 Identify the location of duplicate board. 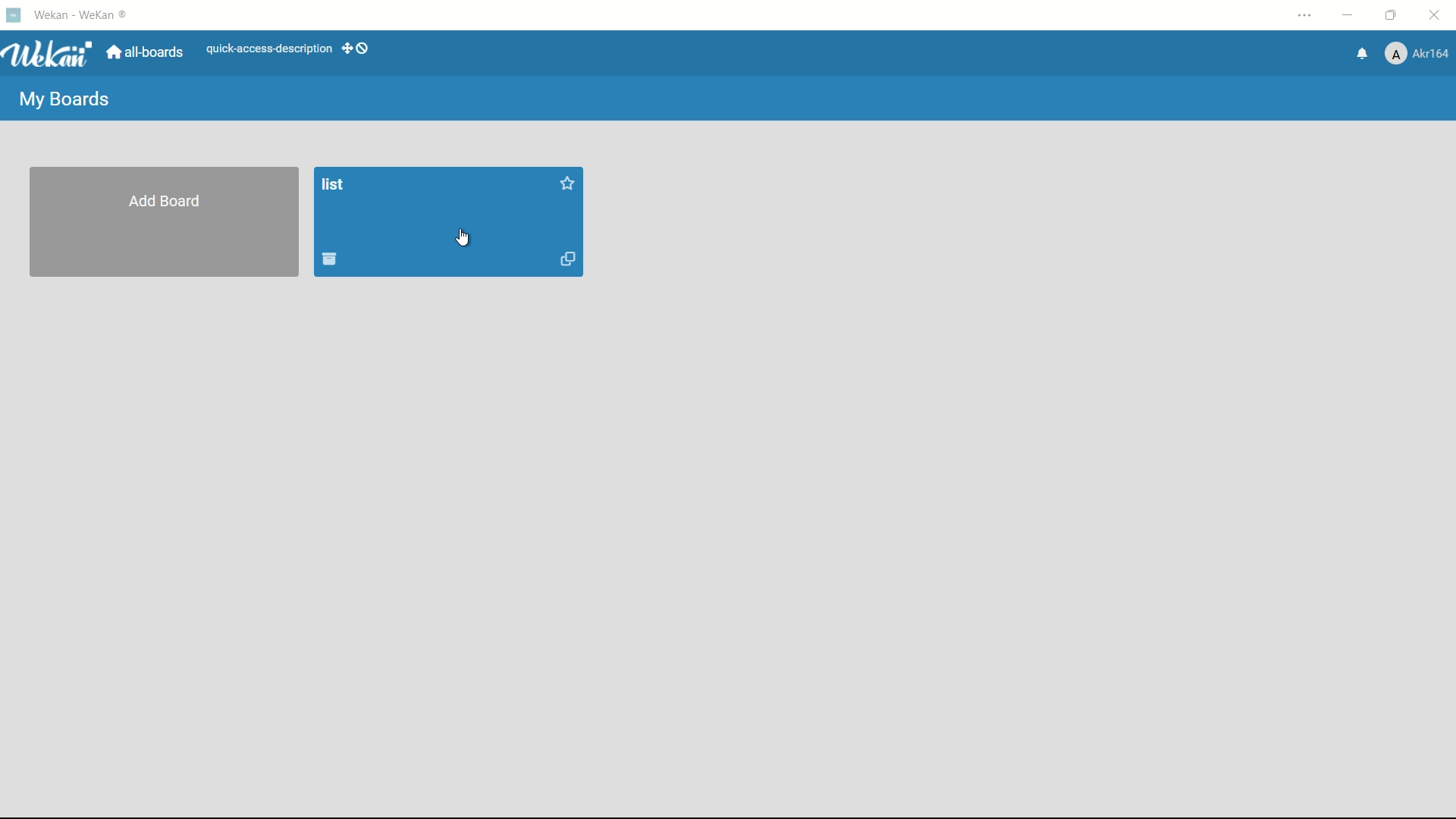
(570, 260).